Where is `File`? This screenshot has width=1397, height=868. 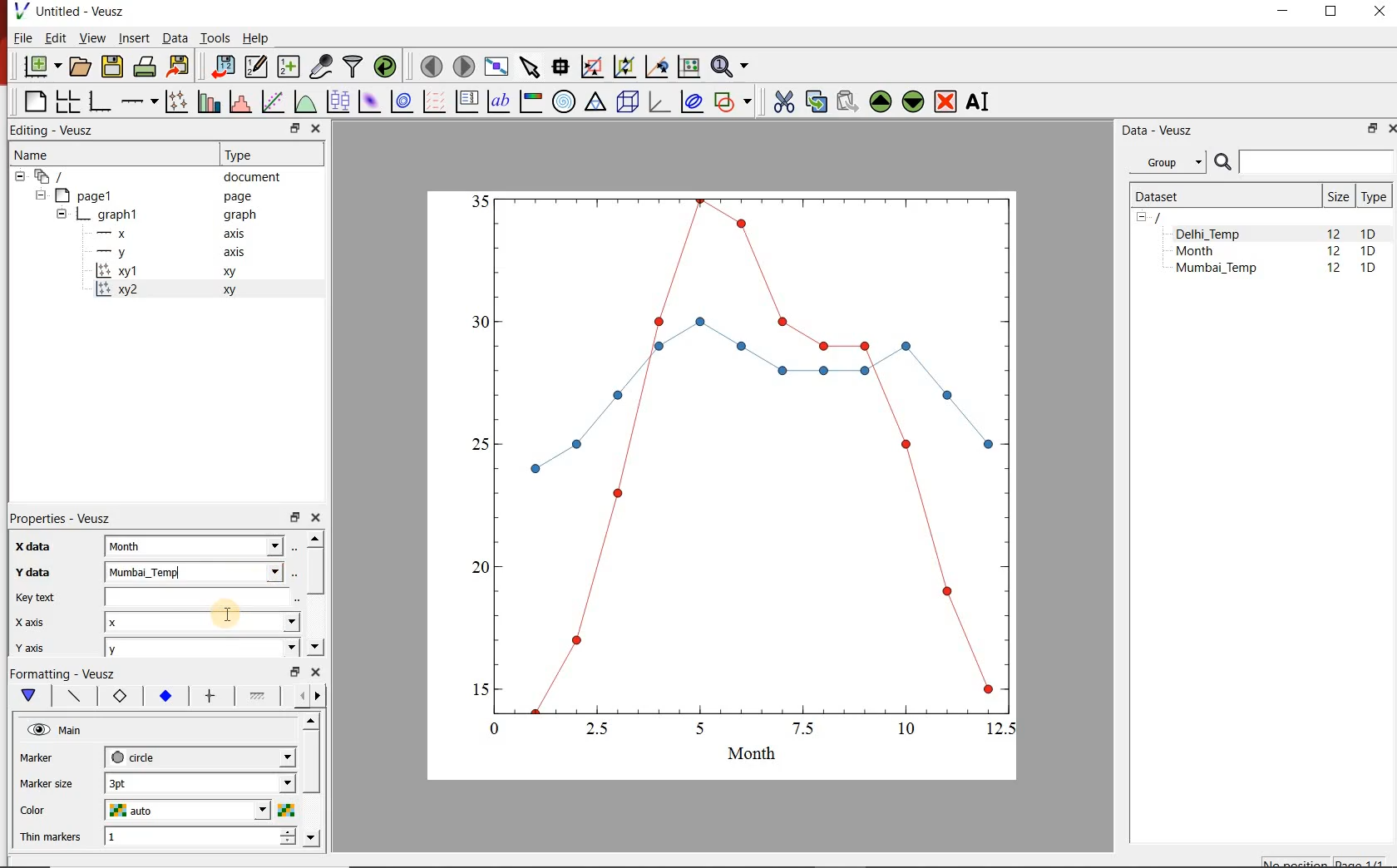
File is located at coordinates (22, 37).